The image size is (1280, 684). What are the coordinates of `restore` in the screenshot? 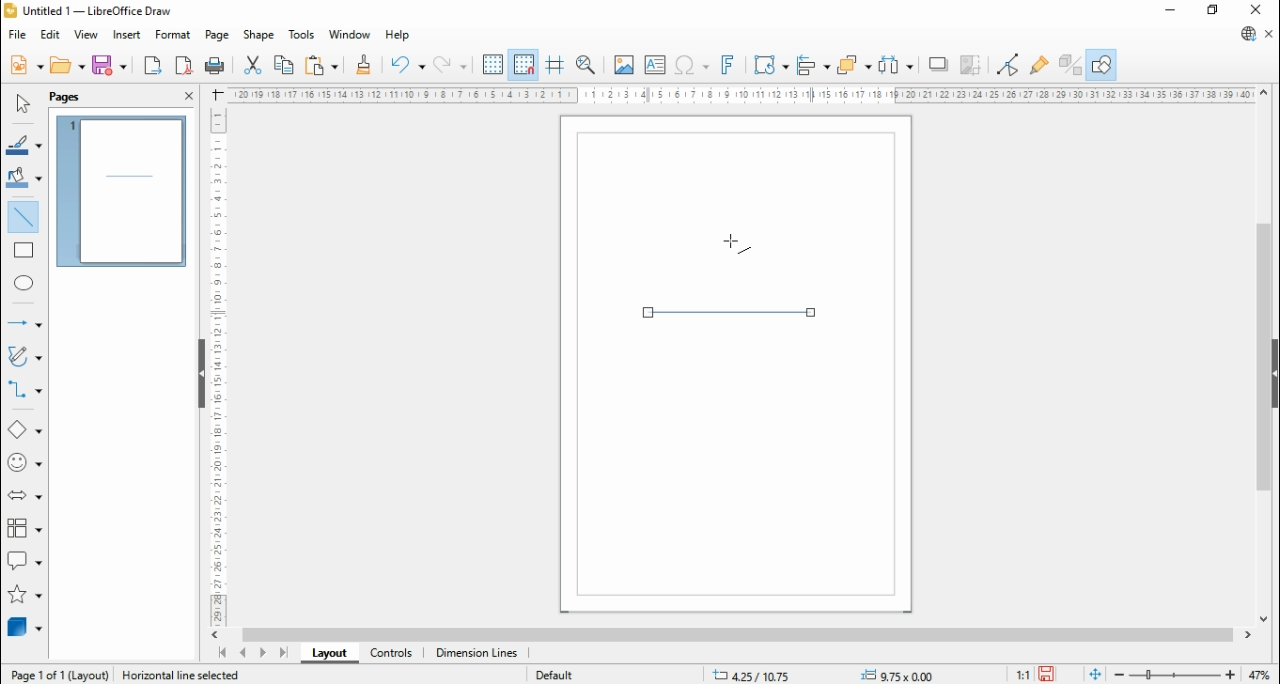 It's located at (1214, 11).